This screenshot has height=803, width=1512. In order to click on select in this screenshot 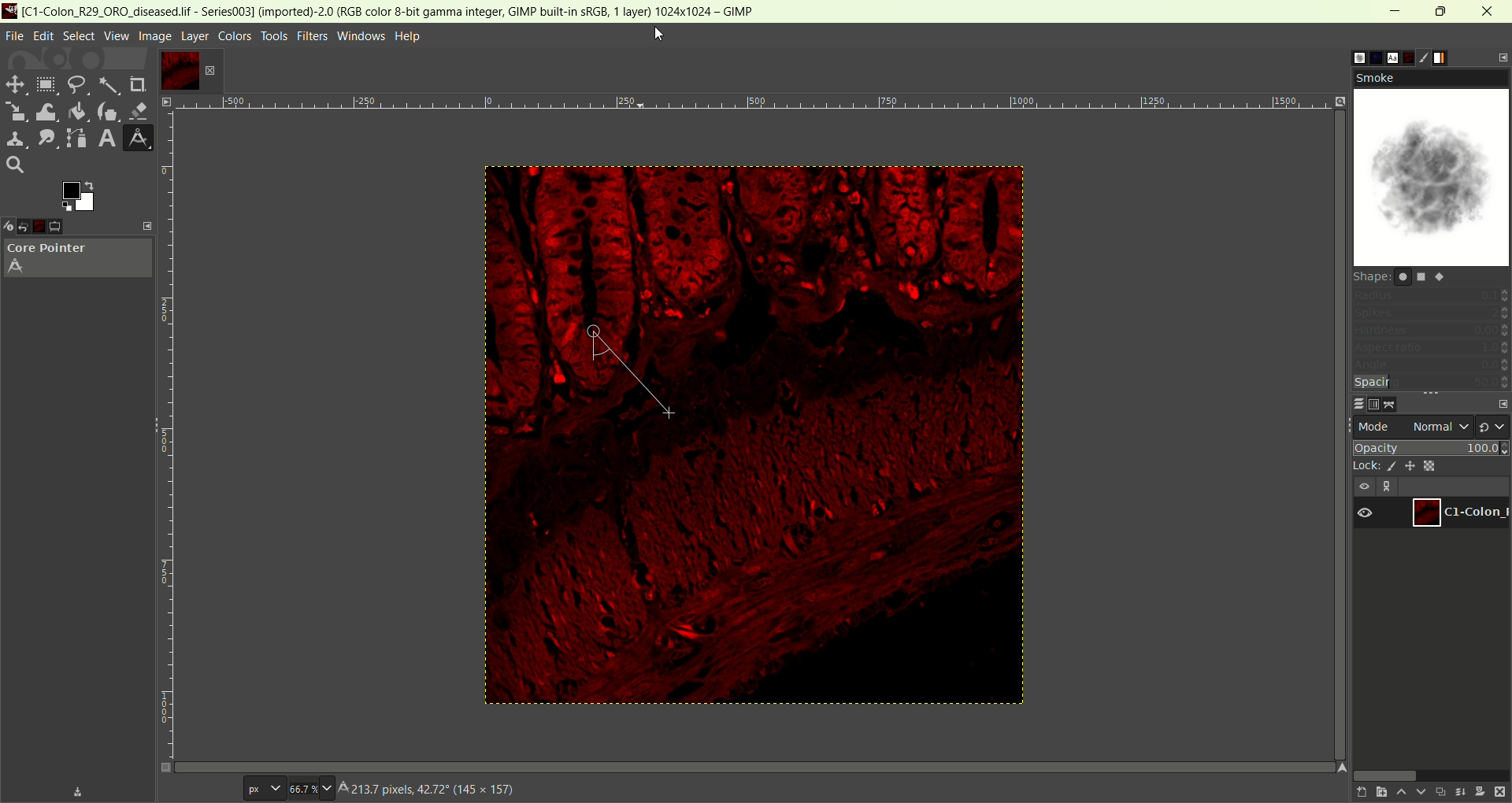, I will do `click(78, 36)`.